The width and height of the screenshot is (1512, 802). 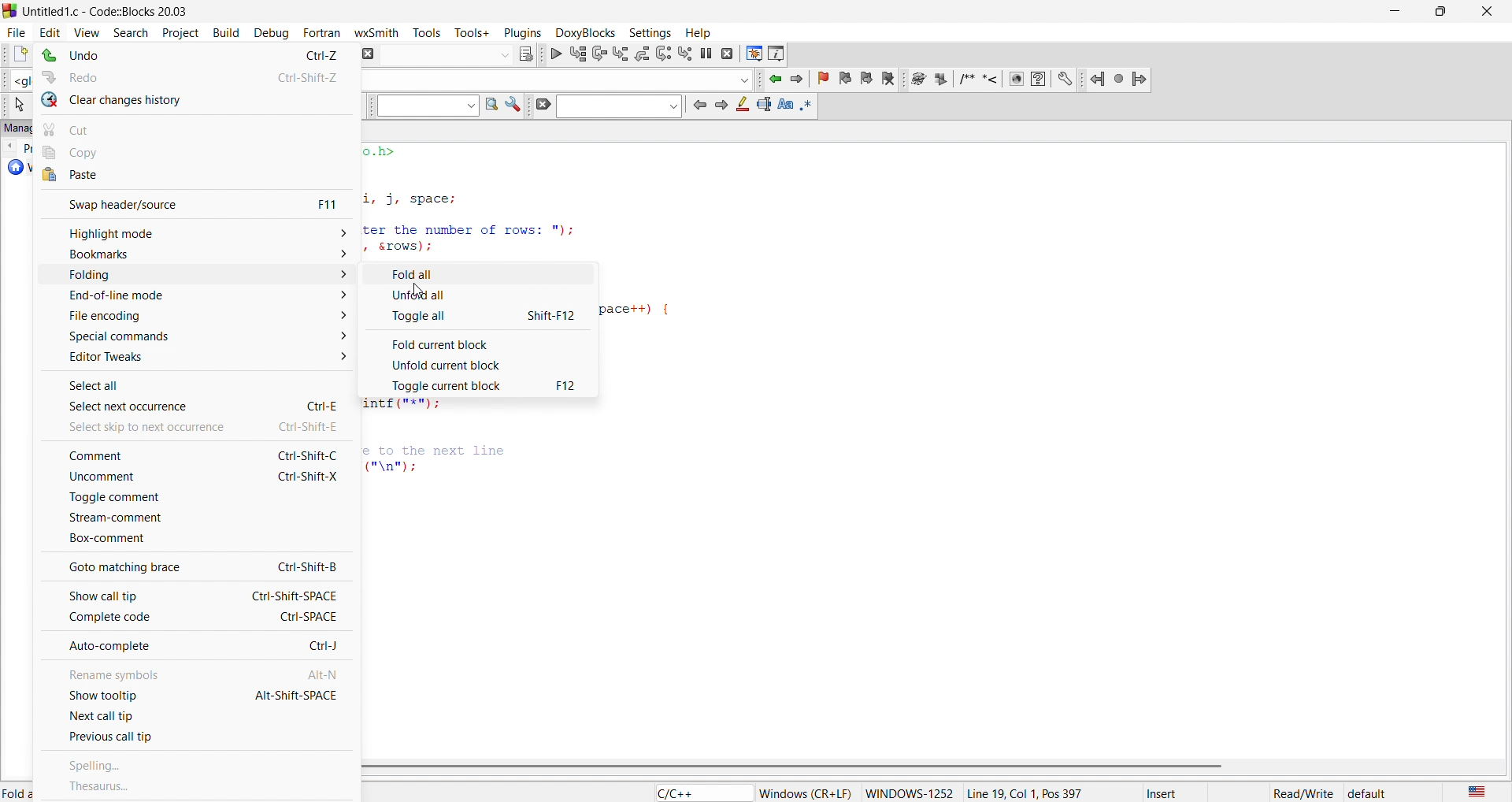 What do you see at coordinates (801, 79) in the screenshot?
I see `jump forward` at bounding box center [801, 79].